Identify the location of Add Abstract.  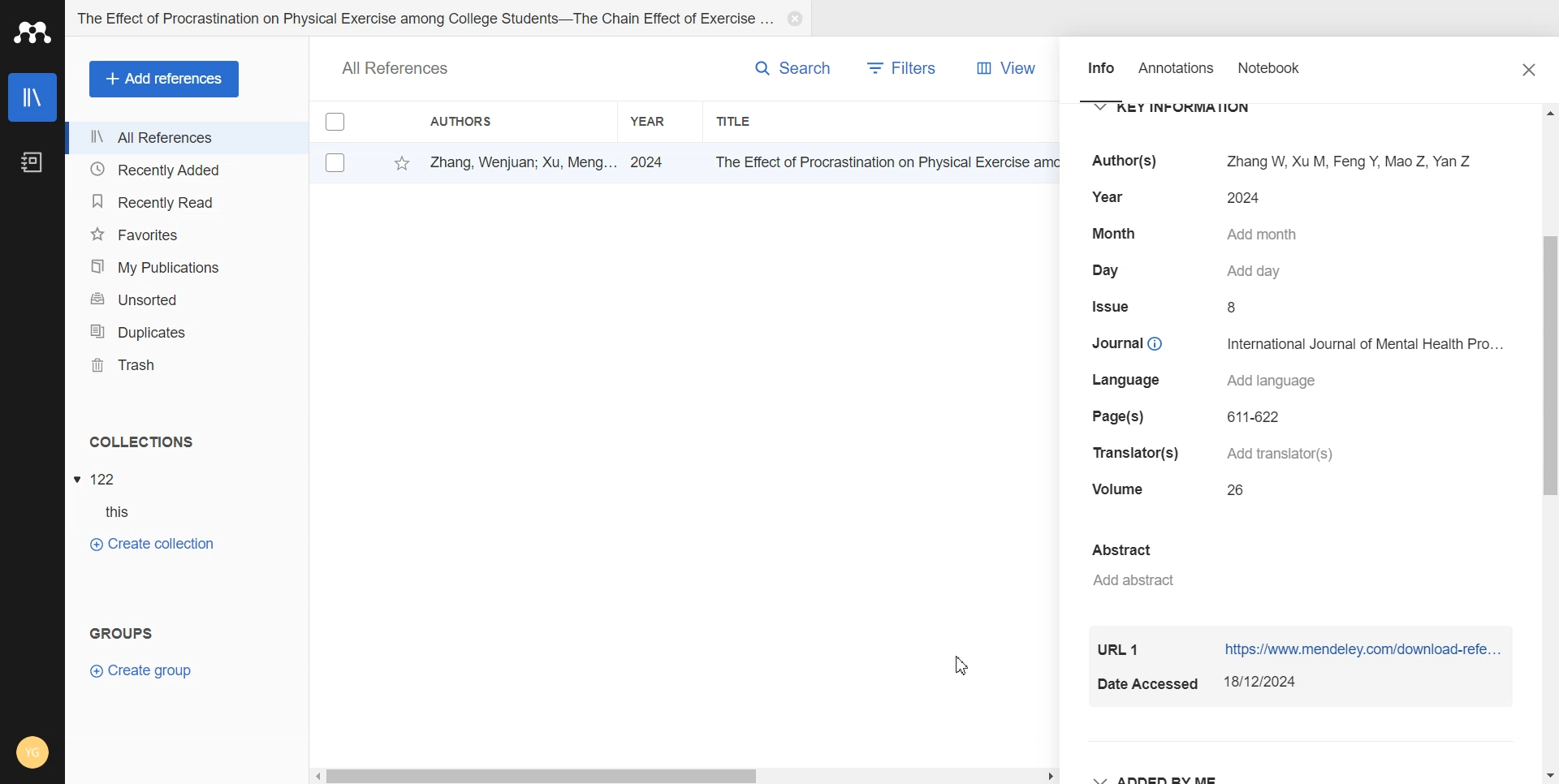
(1268, 566).